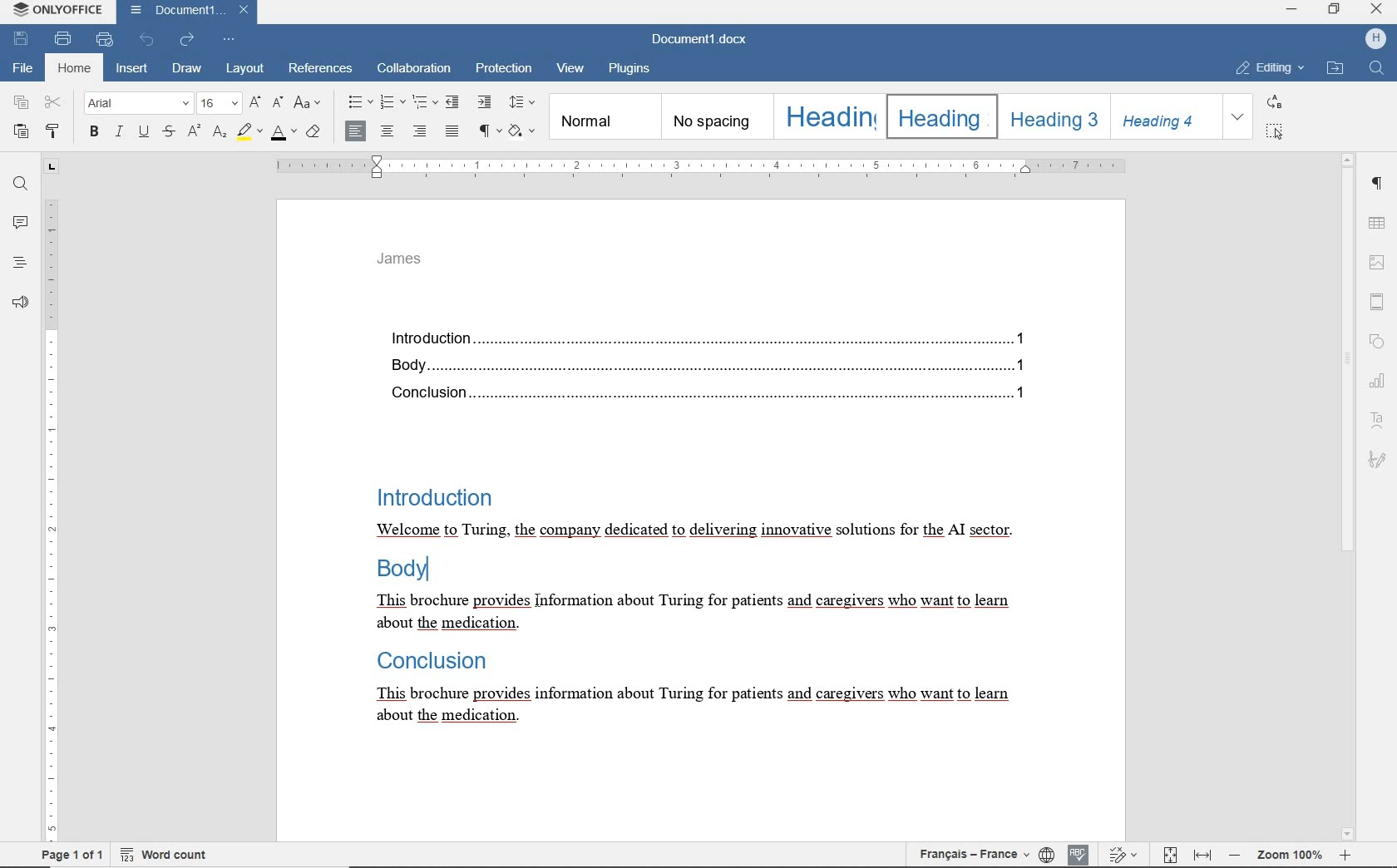  I want to click on REDO, so click(188, 41).